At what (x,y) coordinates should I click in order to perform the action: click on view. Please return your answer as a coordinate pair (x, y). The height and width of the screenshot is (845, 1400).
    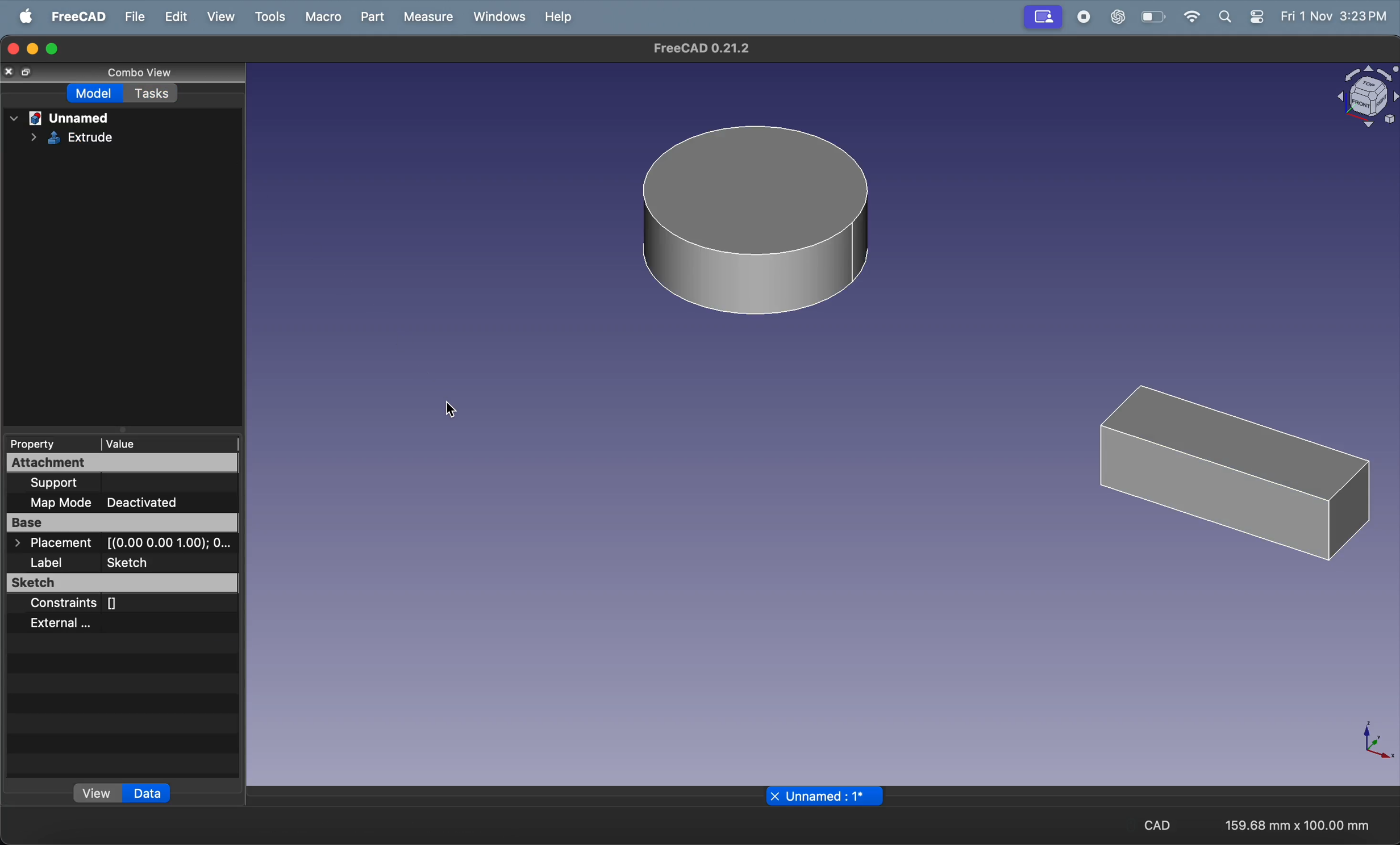
    Looking at the image, I should click on (95, 793).